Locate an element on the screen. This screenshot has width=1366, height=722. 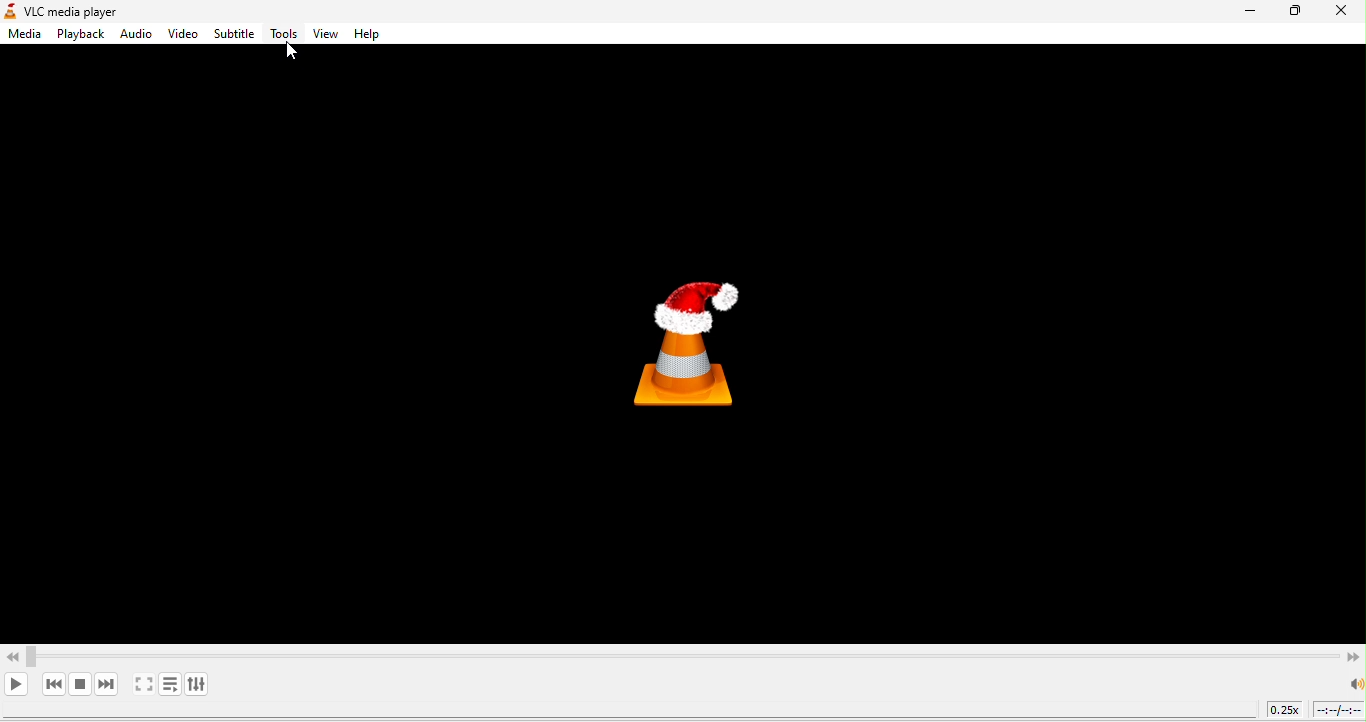
play is located at coordinates (19, 685).